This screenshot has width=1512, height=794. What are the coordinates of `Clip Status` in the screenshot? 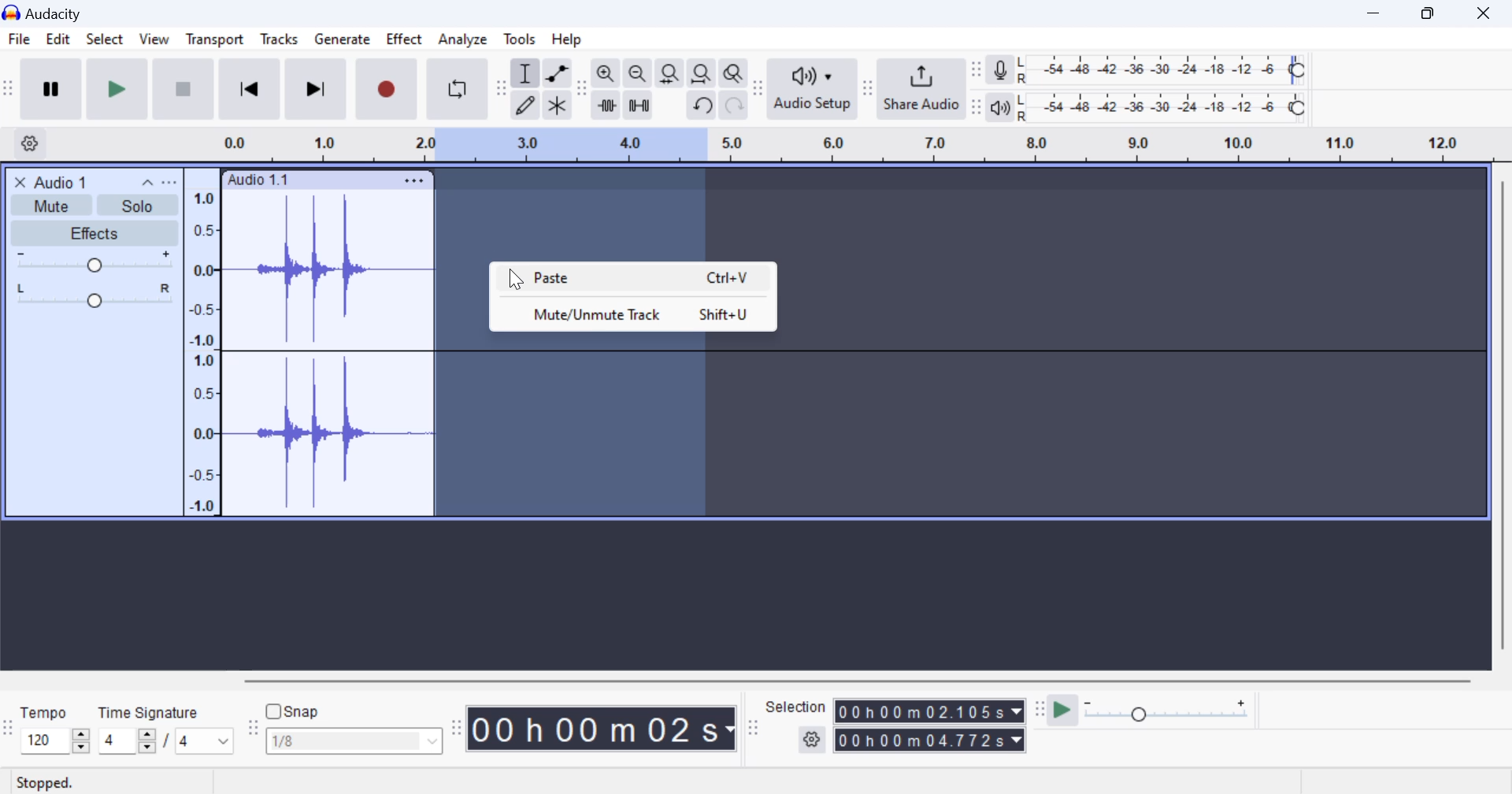 It's located at (46, 784).